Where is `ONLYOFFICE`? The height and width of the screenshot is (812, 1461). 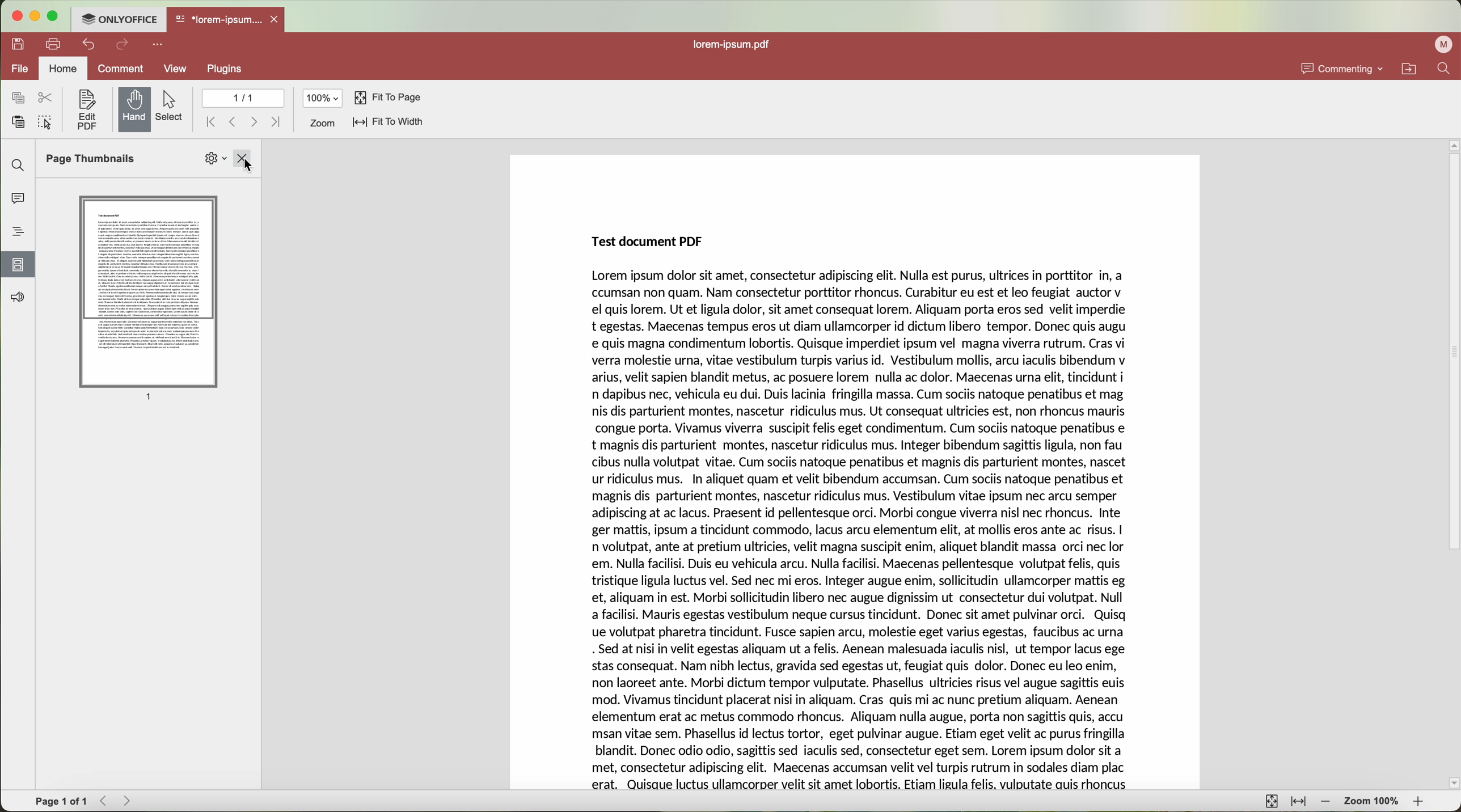 ONLYOFFICE is located at coordinates (119, 19).